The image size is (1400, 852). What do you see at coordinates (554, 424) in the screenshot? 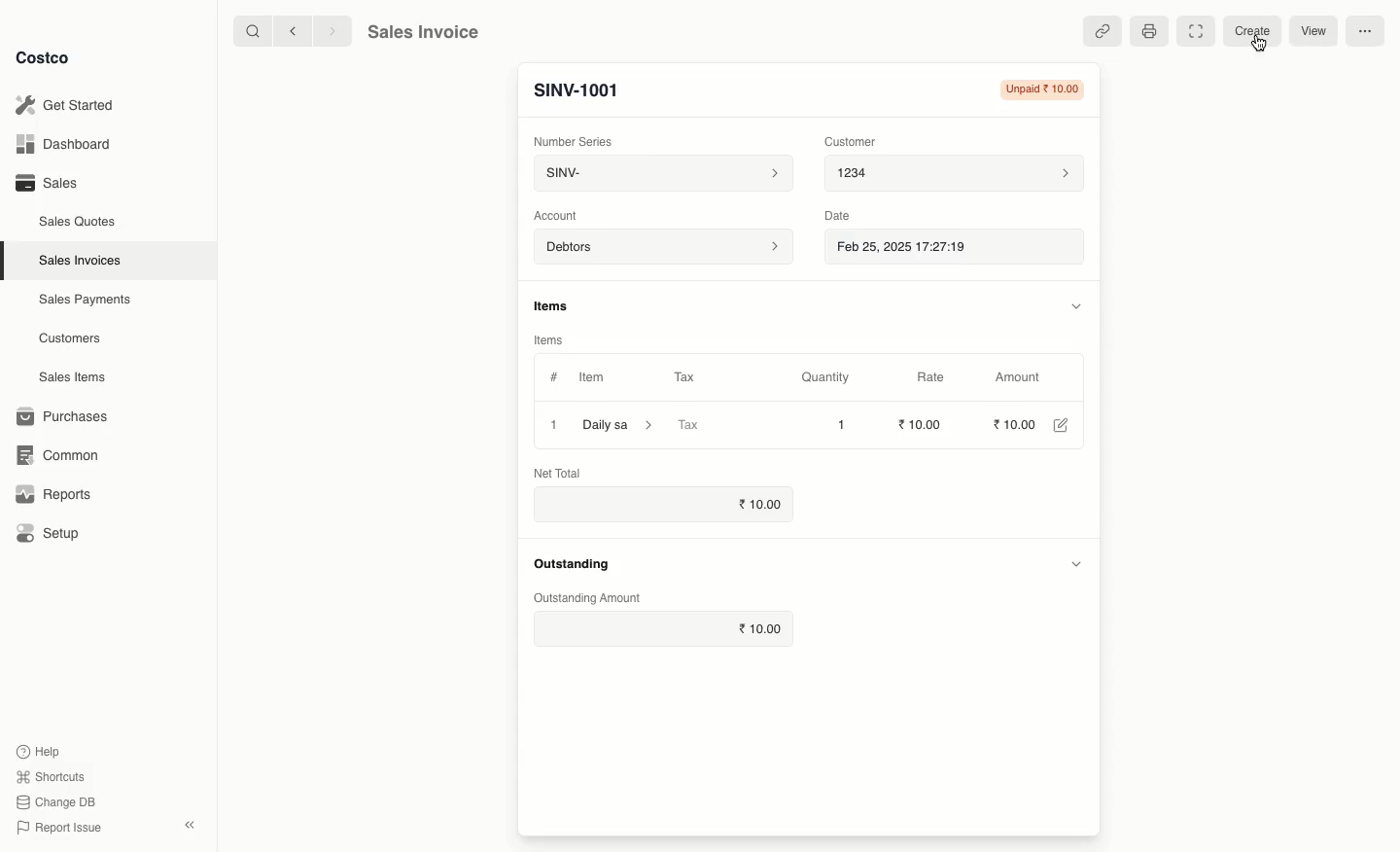
I see `1` at bounding box center [554, 424].